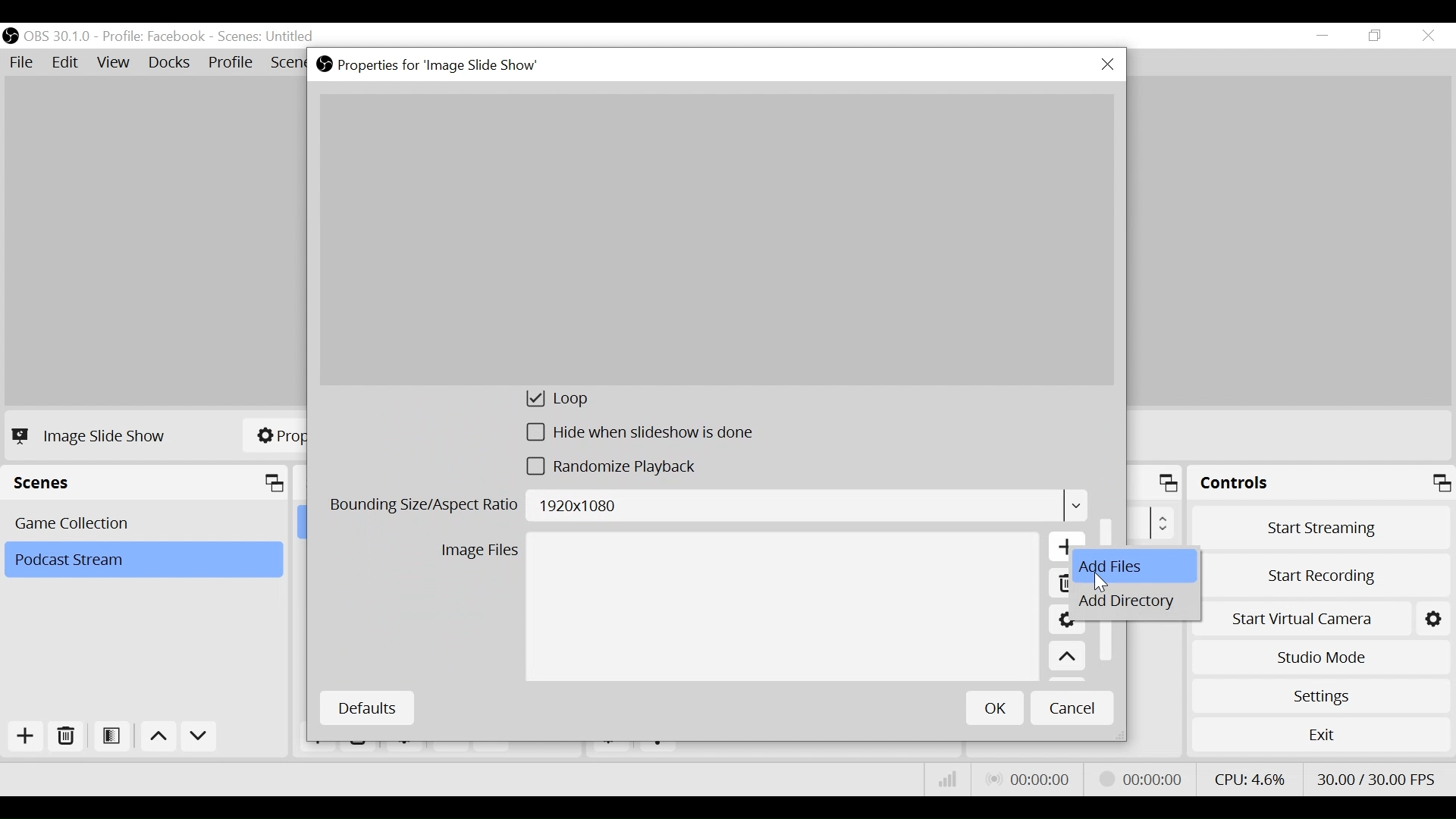  I want to click on Settings, so click(1320, 695).